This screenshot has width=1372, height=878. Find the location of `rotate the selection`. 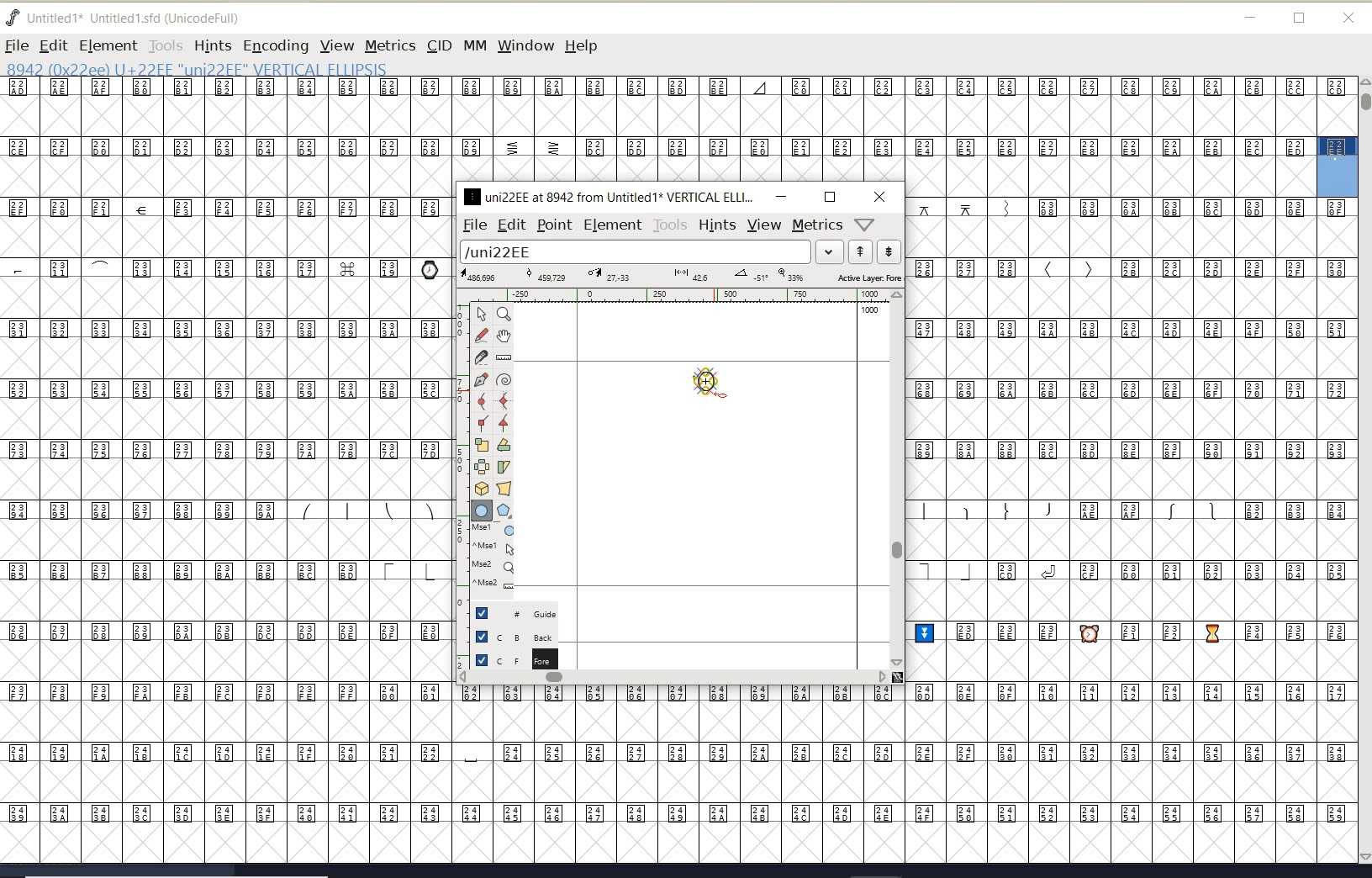

rotate the selection is located at coordinates (504, 445).